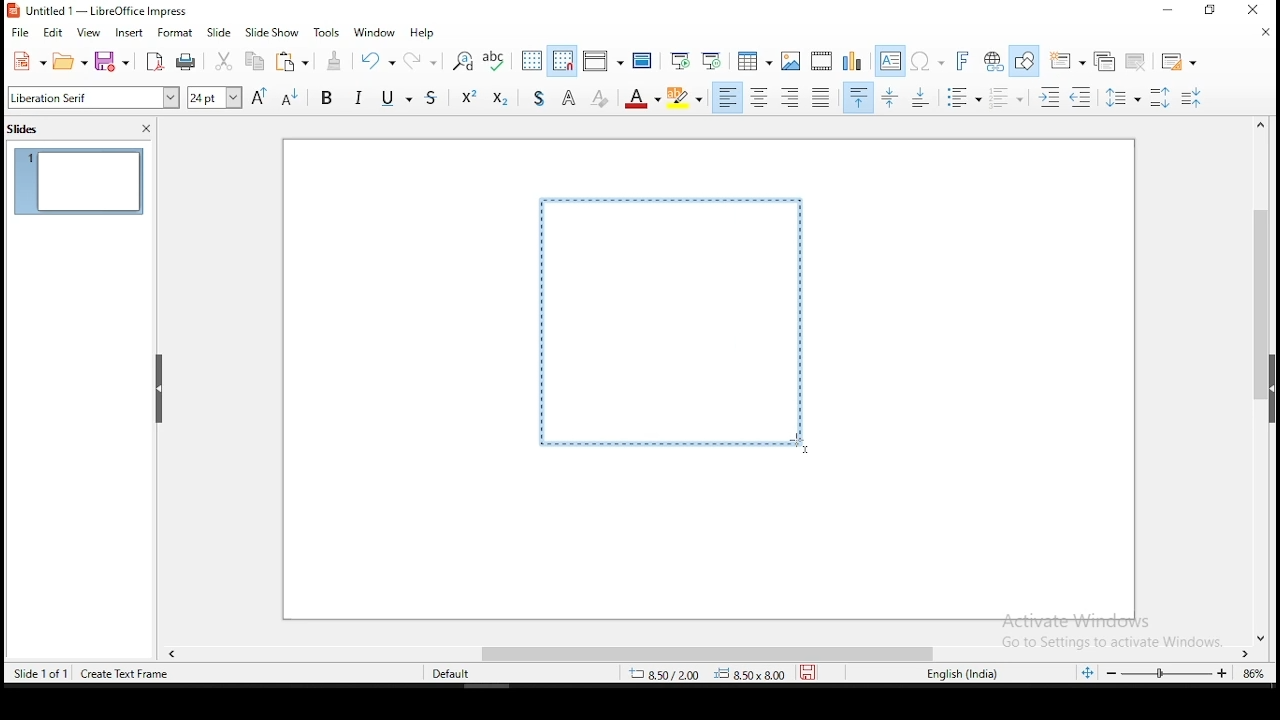  Describe the element at coordinates (387, 100) in the screenshot. I see `underline` at that location.